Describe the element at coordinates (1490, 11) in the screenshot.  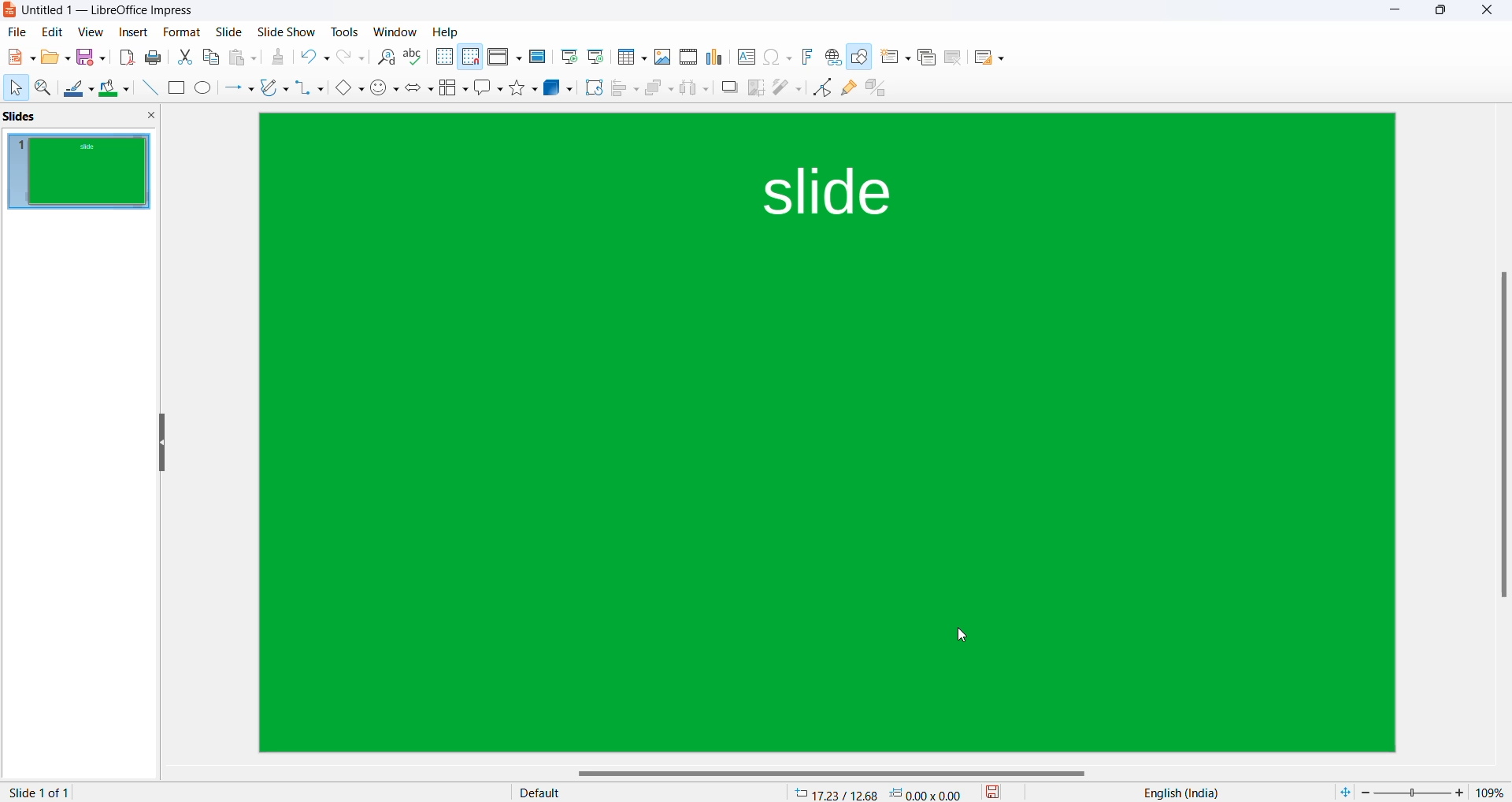
I see `close` at that location.